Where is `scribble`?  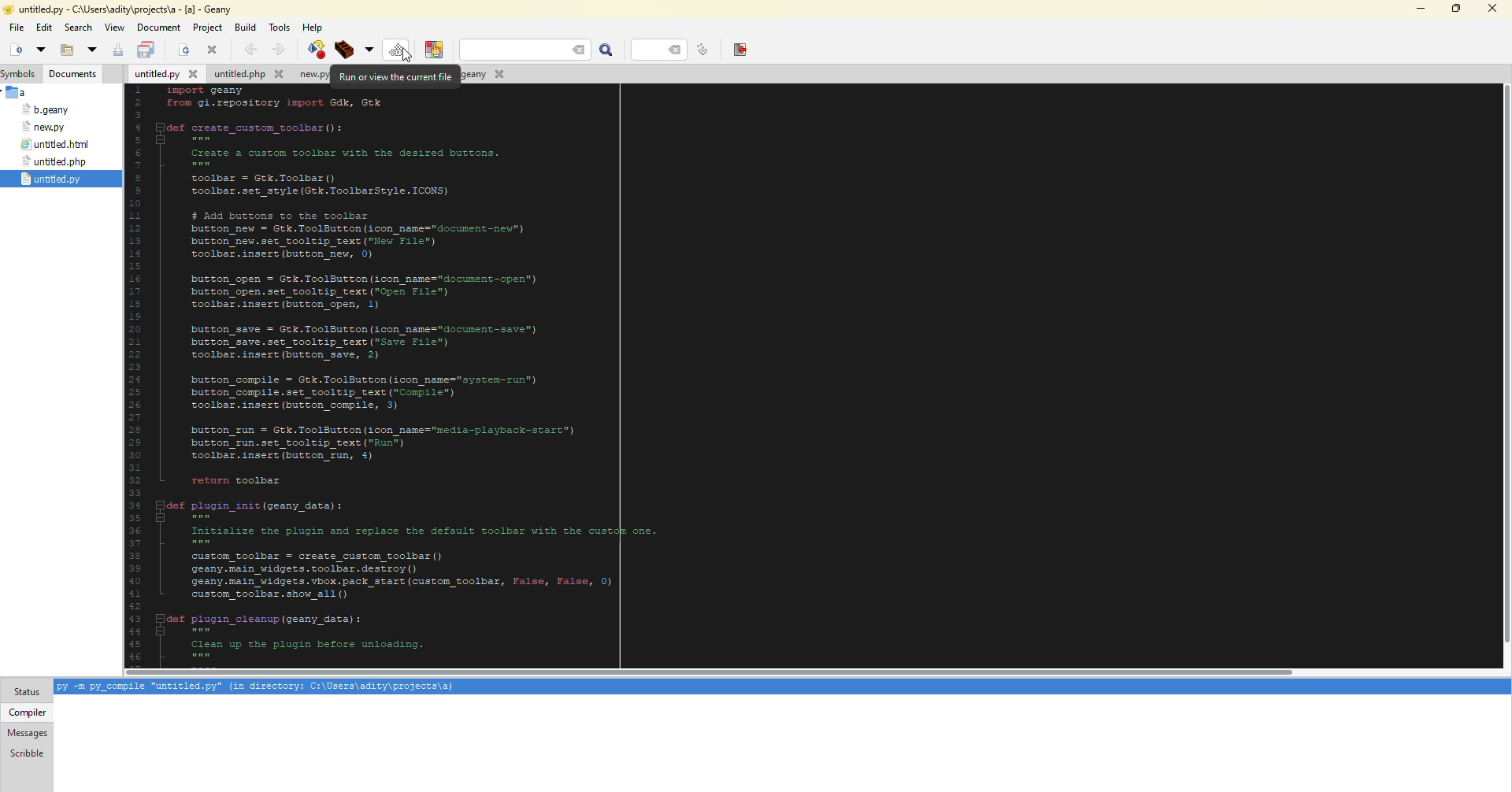
scribble is located at coordinates (28, 753).